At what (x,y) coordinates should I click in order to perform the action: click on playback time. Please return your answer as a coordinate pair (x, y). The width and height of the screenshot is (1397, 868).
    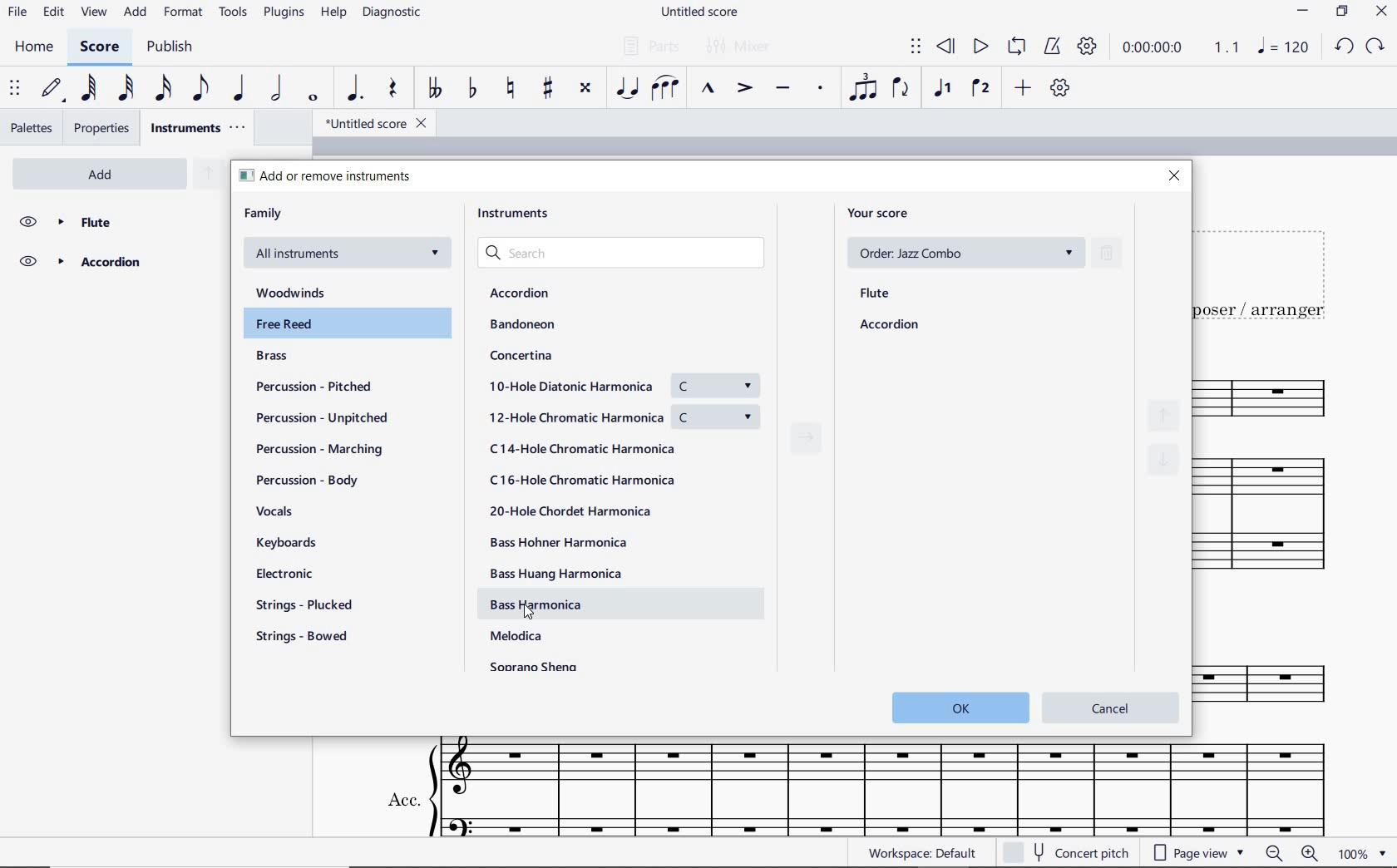
    Looking at the image, I should click on (1156, 50).